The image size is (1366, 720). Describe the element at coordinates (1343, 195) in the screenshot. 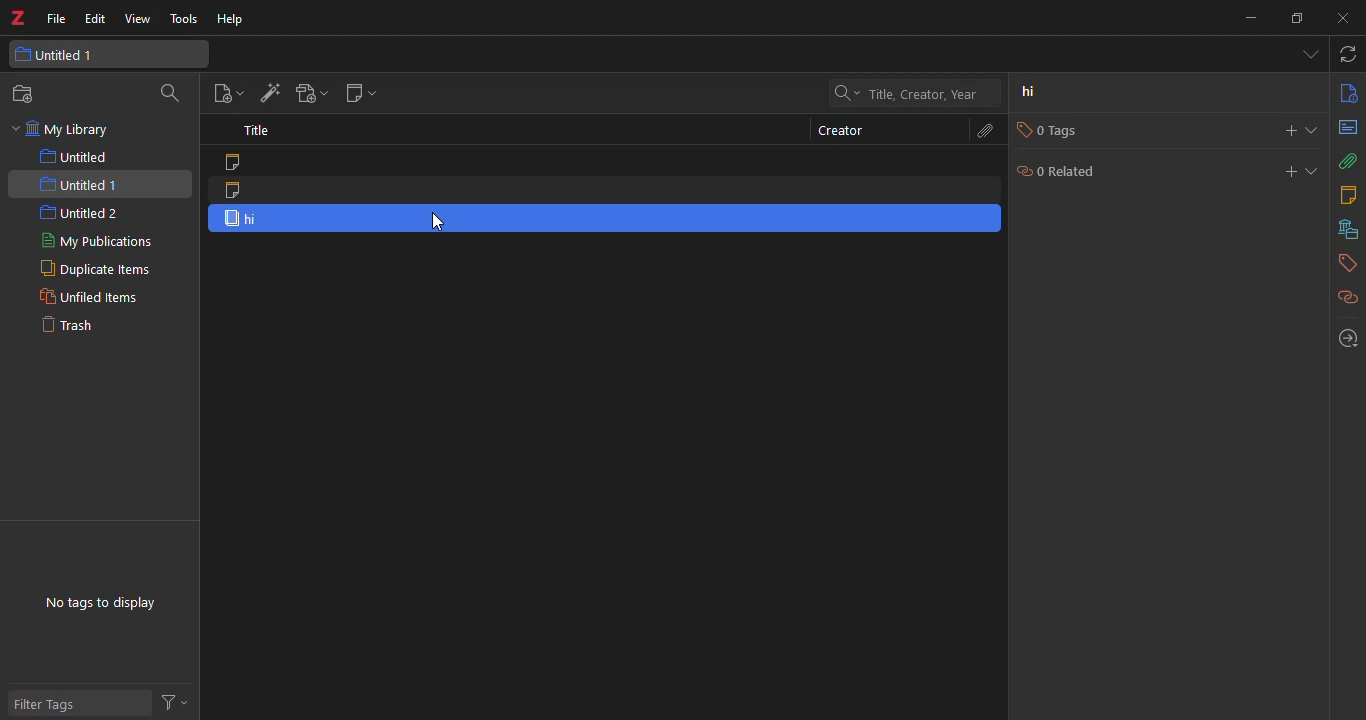

I see `notes` at that location.